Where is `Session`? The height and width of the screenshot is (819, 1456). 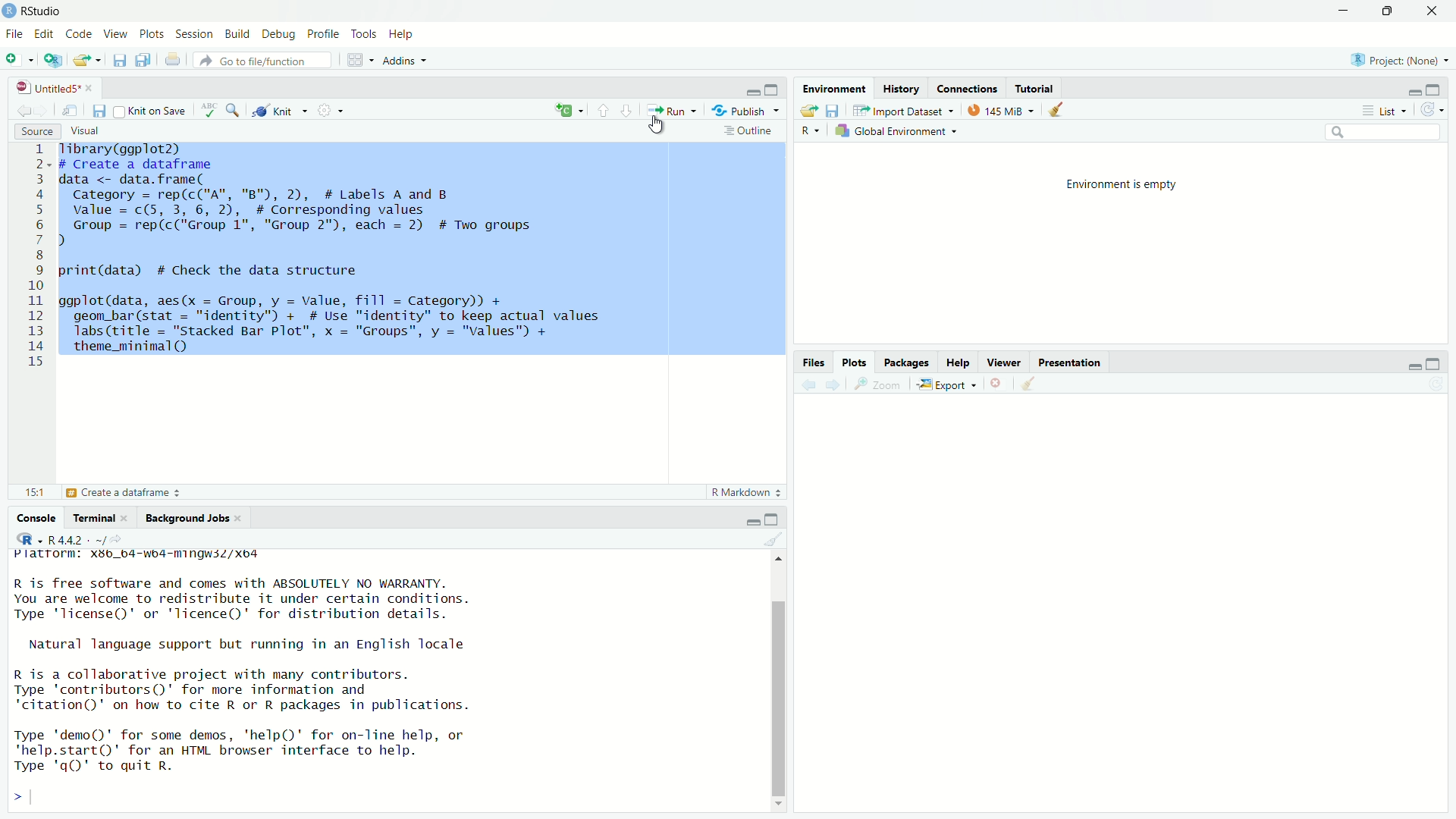 Session is located at coordinates (196, 34).